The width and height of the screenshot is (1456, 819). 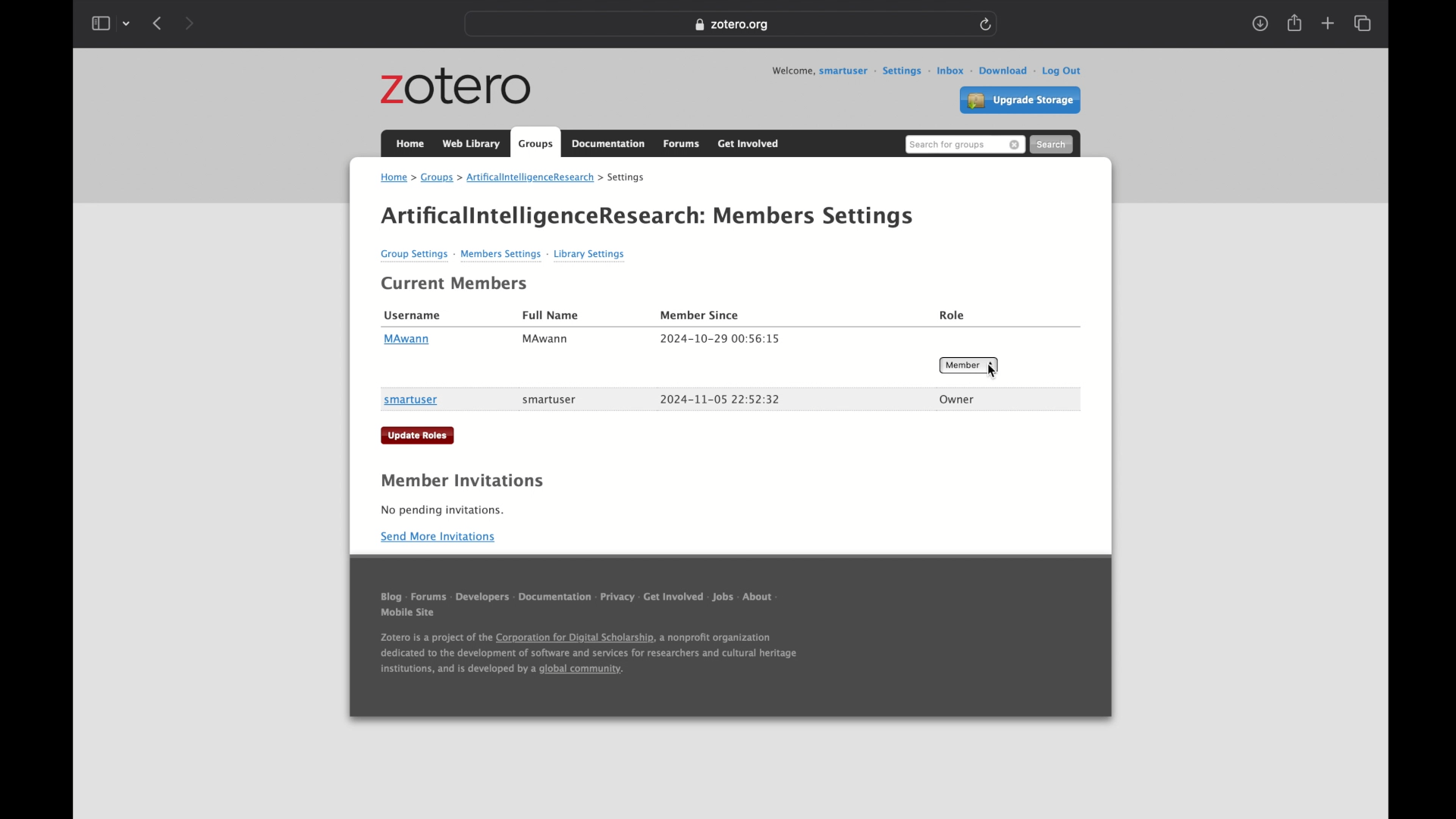 I want to click on inbox, so click(x=944, y=70).